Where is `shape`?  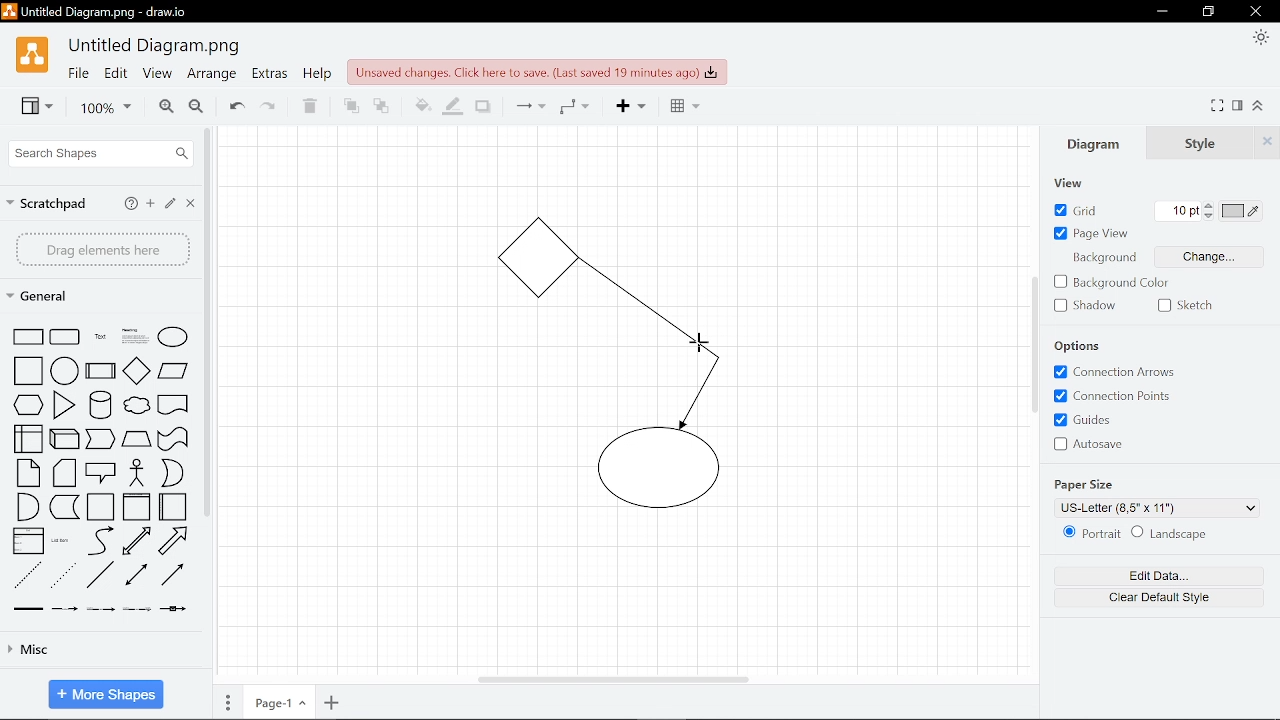 shape is located at coordinates (137, 370).